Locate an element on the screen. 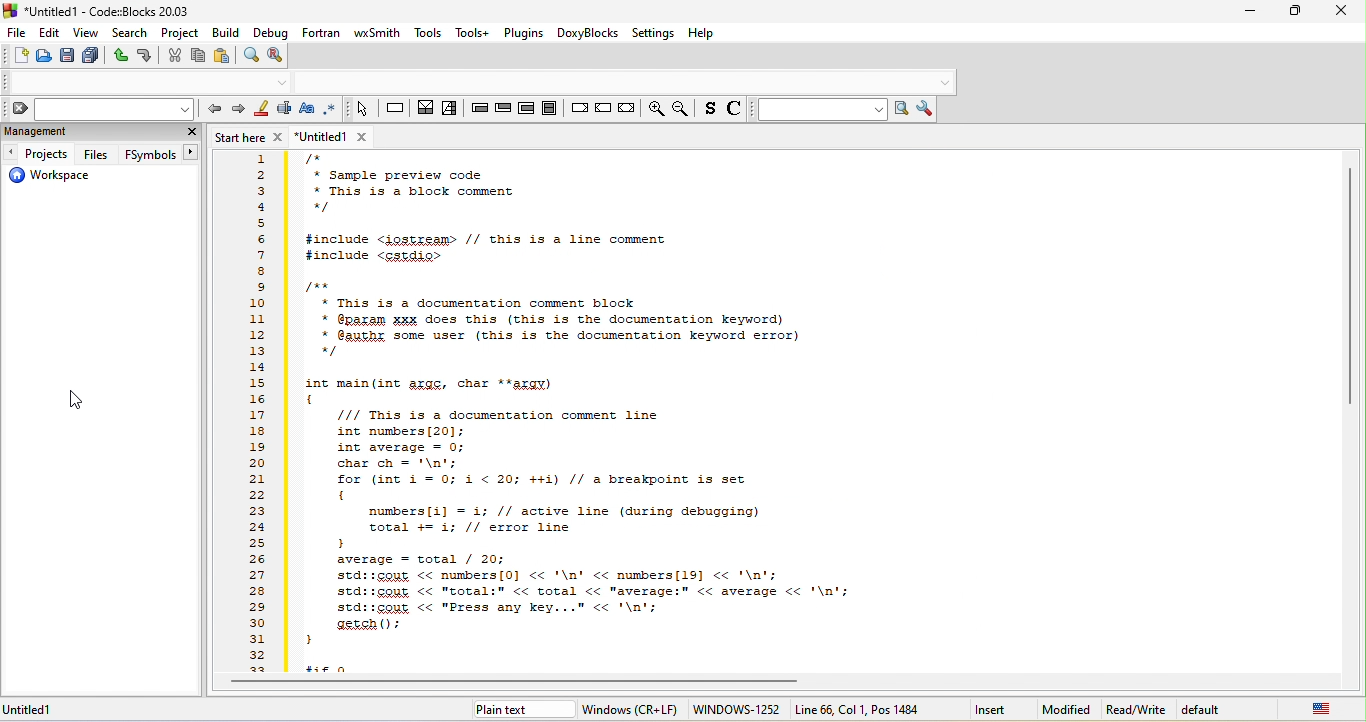  match case is located at coordinates (310, 111).